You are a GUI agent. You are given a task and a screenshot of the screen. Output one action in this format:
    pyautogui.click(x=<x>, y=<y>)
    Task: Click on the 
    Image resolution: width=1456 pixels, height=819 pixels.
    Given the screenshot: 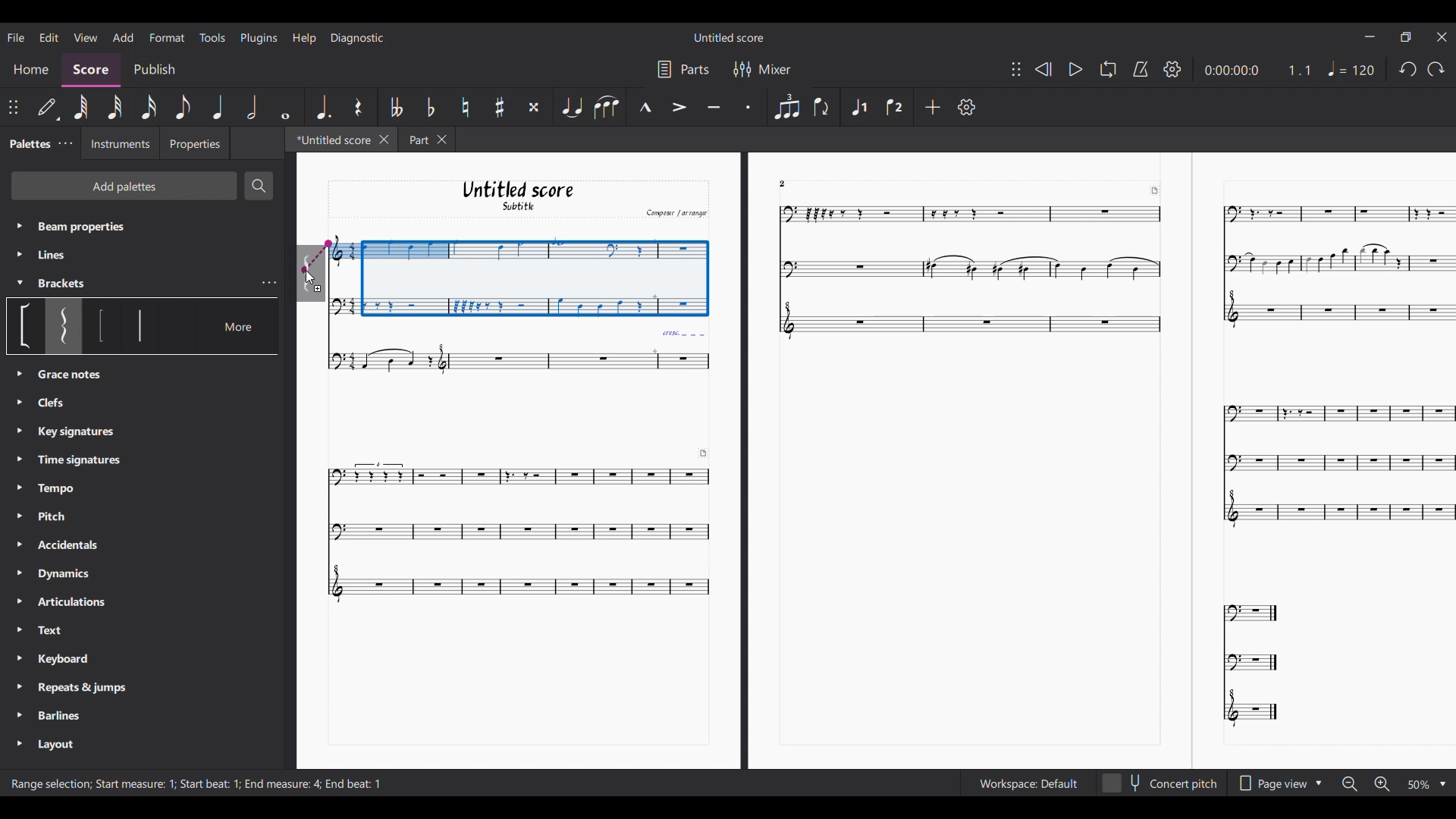 What is the action you would take?
    pyautogui.click(x=1250, y=613)
    